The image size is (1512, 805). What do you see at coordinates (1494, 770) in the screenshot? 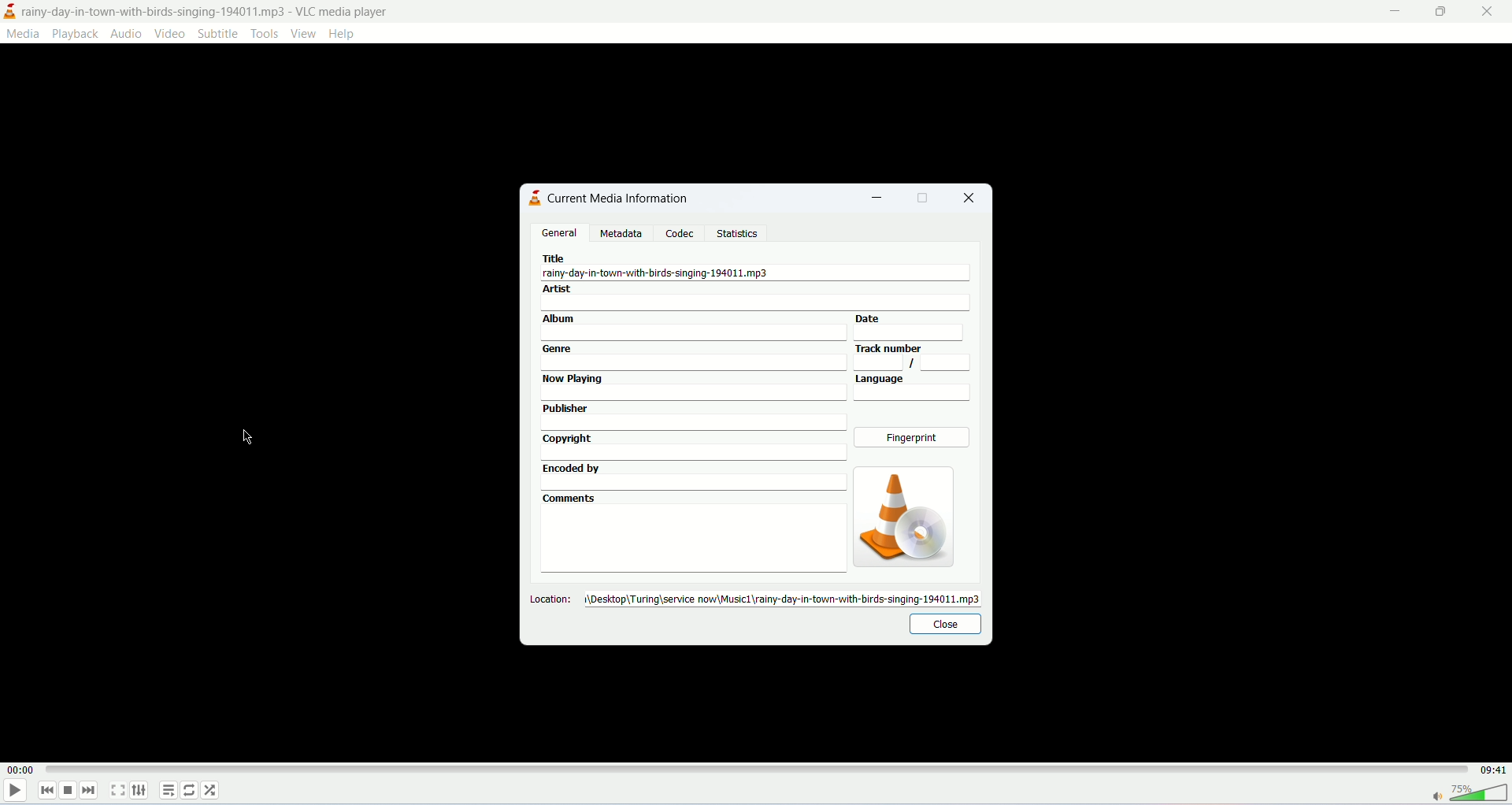
I see `total time` at bounding box center [1494, 770].